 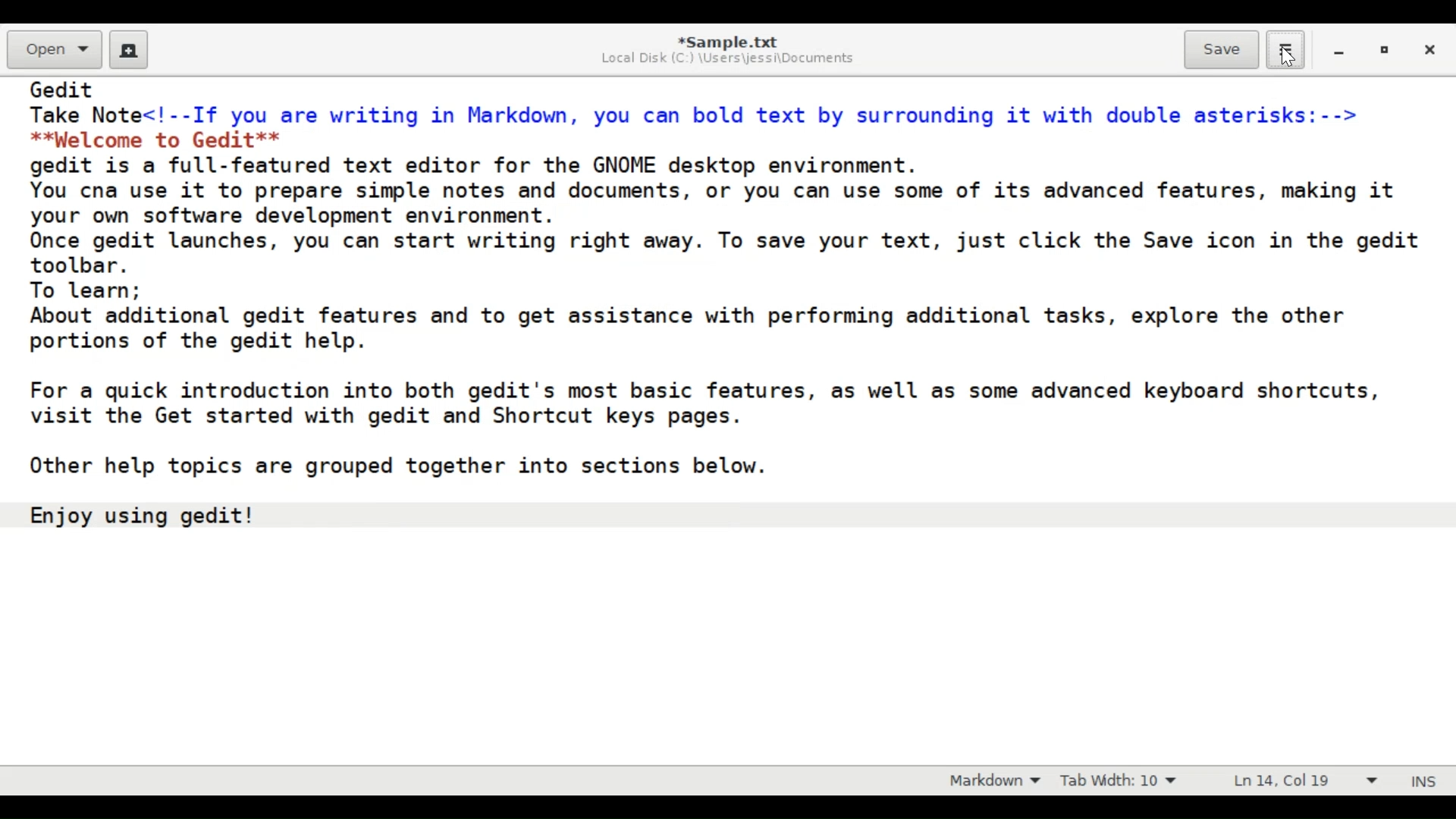 I want to click on Insert Mode (INS), so click(x=1421, y=780).